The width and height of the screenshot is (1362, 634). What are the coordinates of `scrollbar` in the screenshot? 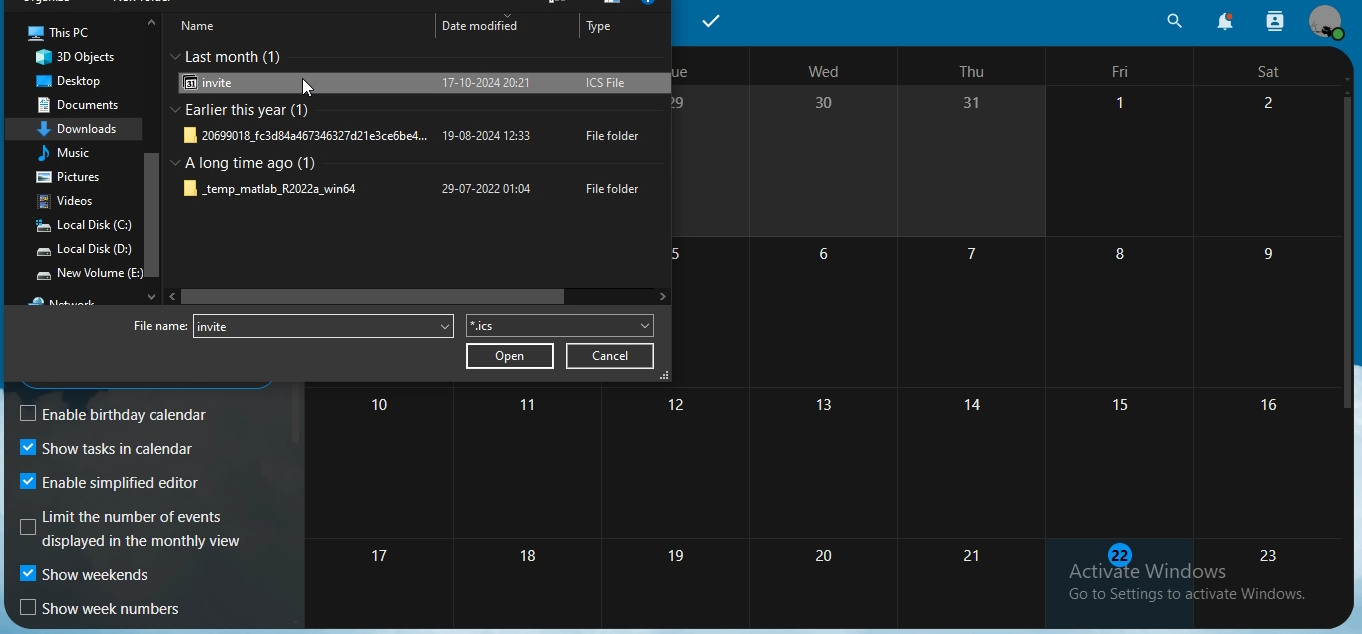 It's located at (1350, 255).